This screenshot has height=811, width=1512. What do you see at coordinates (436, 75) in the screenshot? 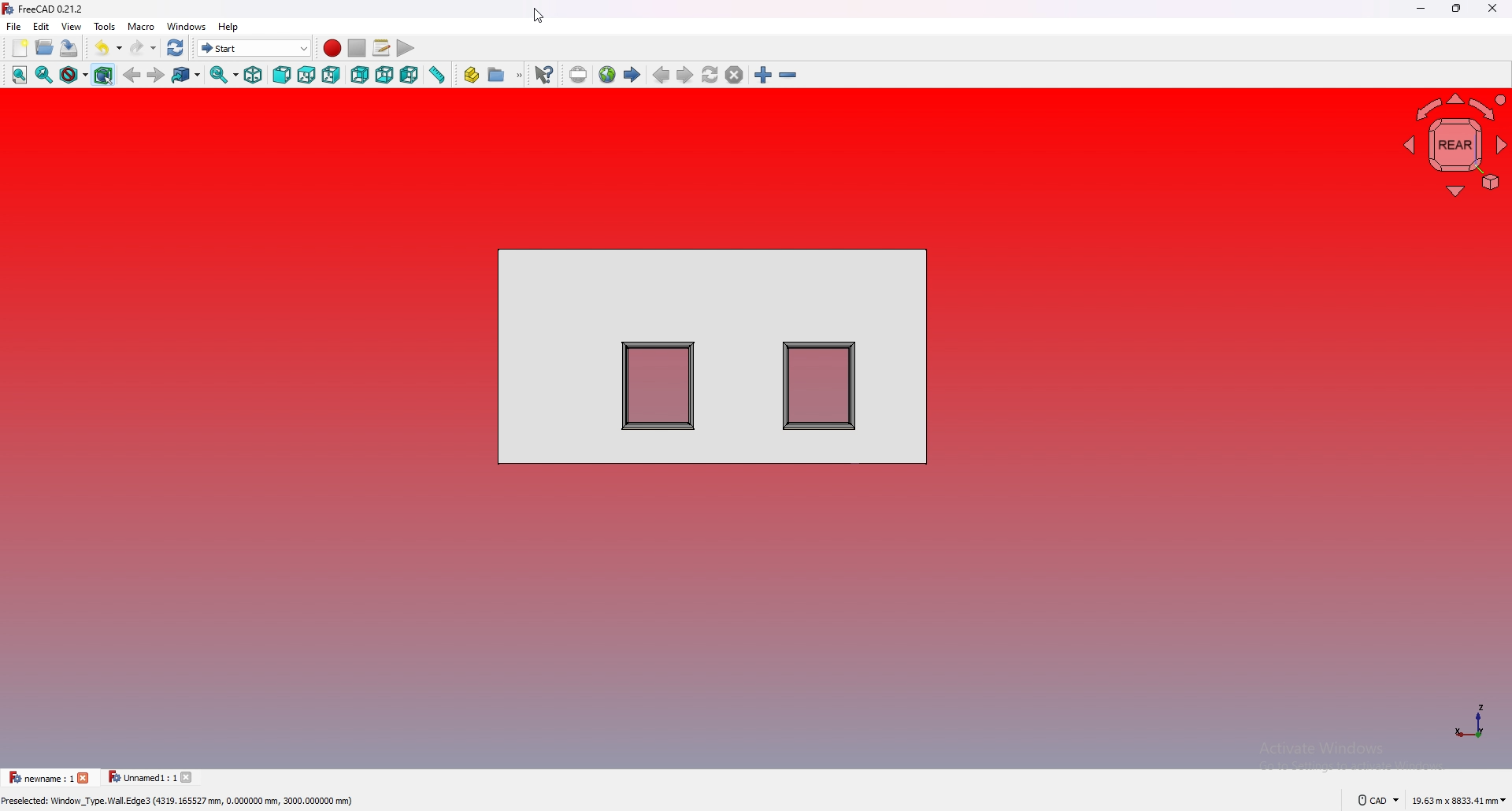
I see `measure distance` at bounding box center [436, 75].